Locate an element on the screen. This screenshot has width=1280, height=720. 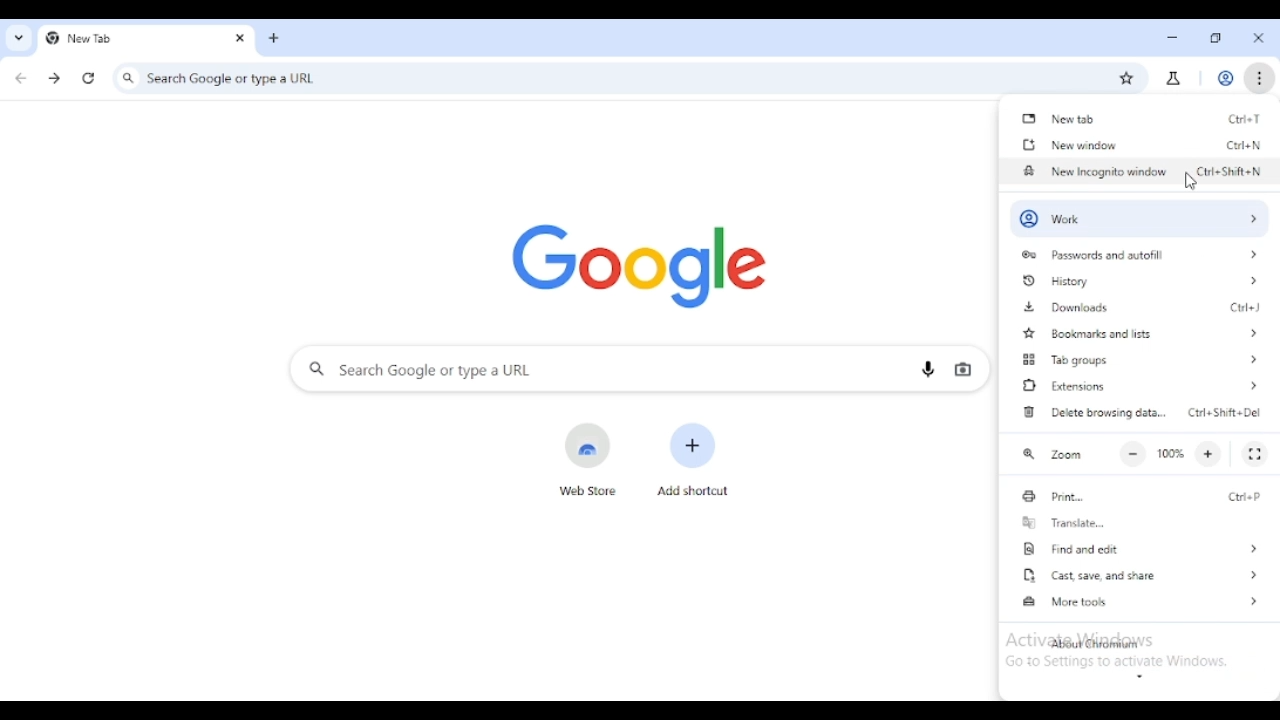
customize and control chromium is located at coordinates (1259, 77).